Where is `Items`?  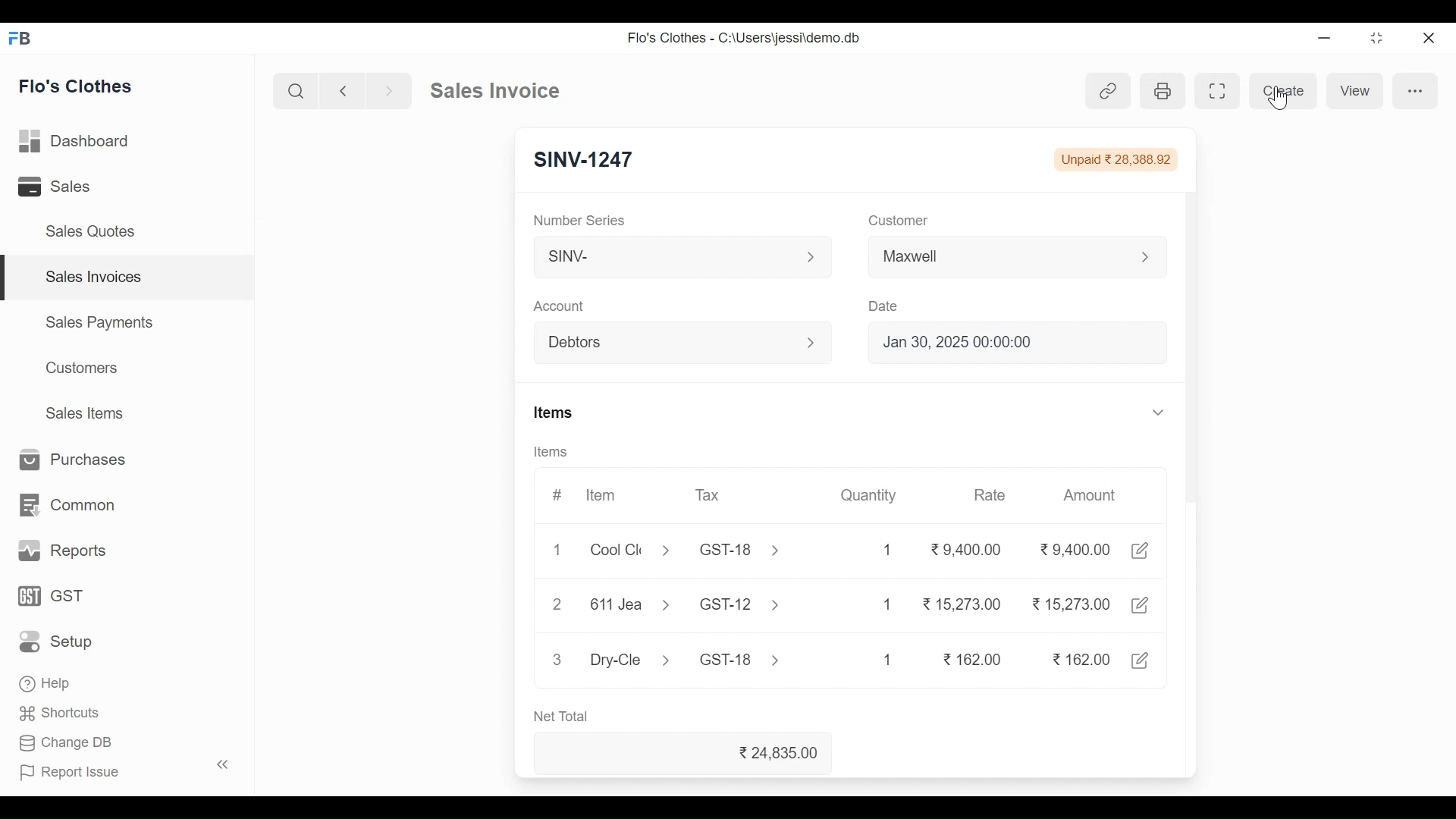
Items is located at coordinates (560, 413).